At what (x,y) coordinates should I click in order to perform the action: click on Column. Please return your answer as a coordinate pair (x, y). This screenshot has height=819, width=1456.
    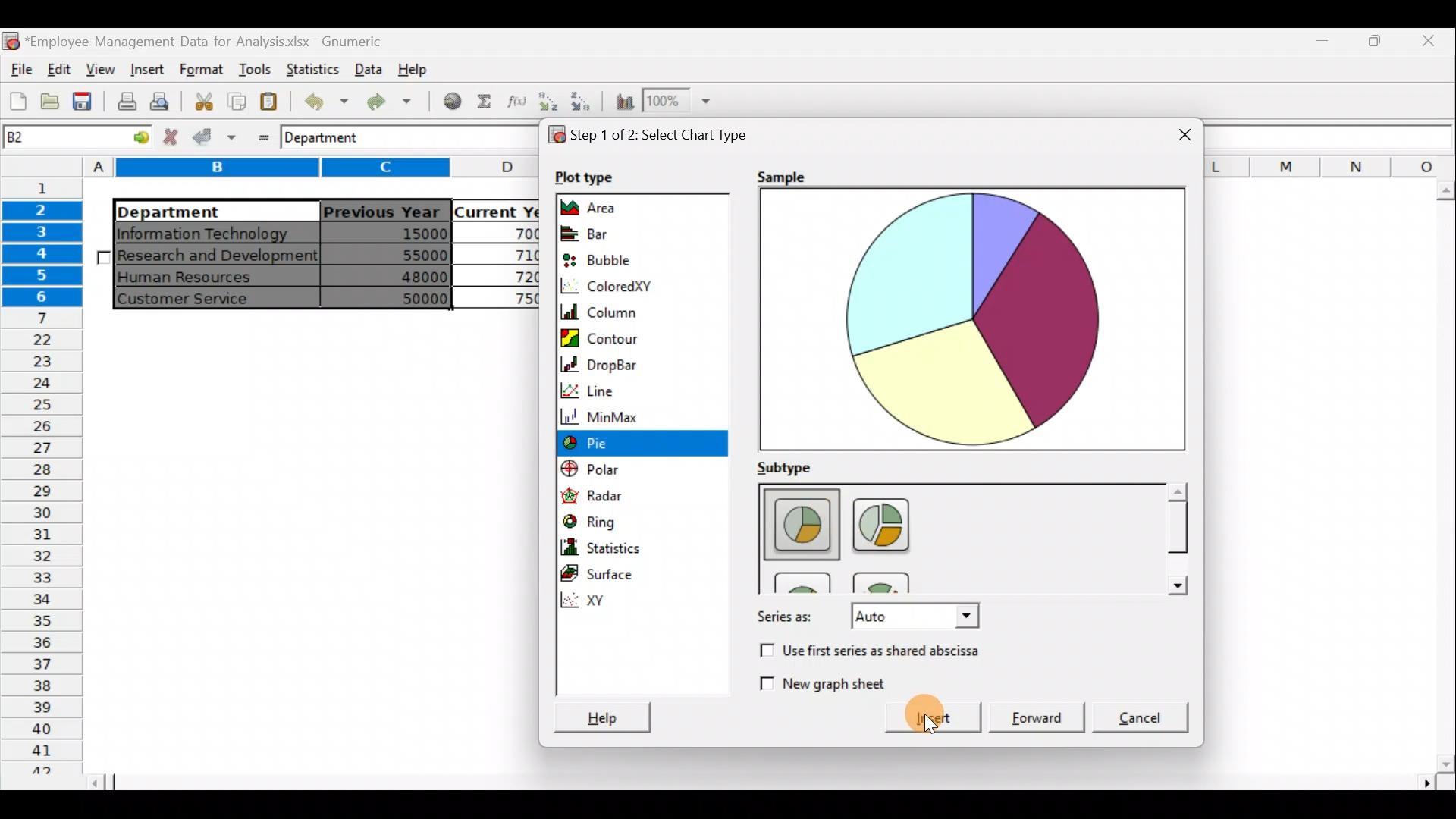
    Looking at the image, I should click on (628, 310).